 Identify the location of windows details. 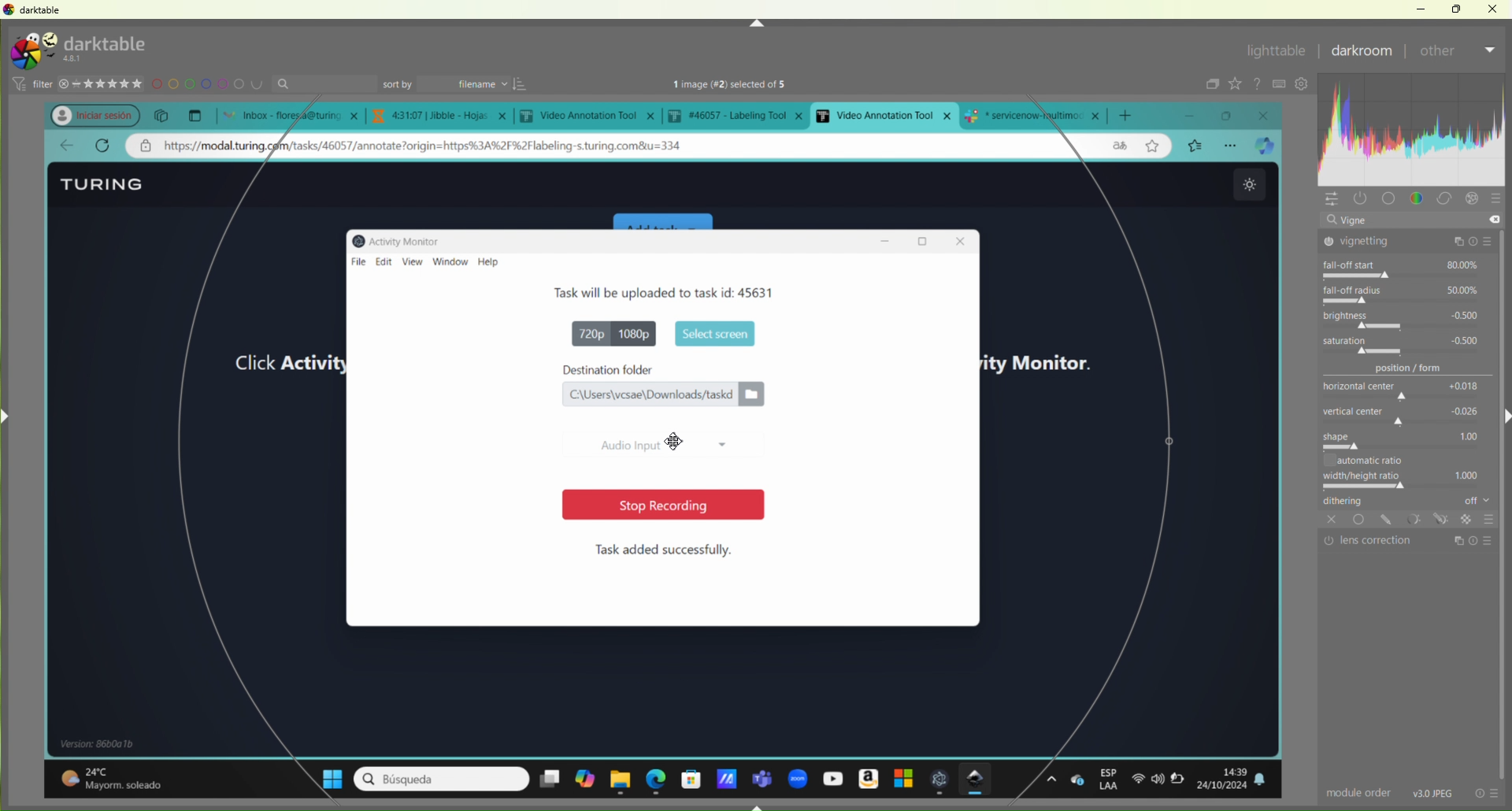
(105, 743).